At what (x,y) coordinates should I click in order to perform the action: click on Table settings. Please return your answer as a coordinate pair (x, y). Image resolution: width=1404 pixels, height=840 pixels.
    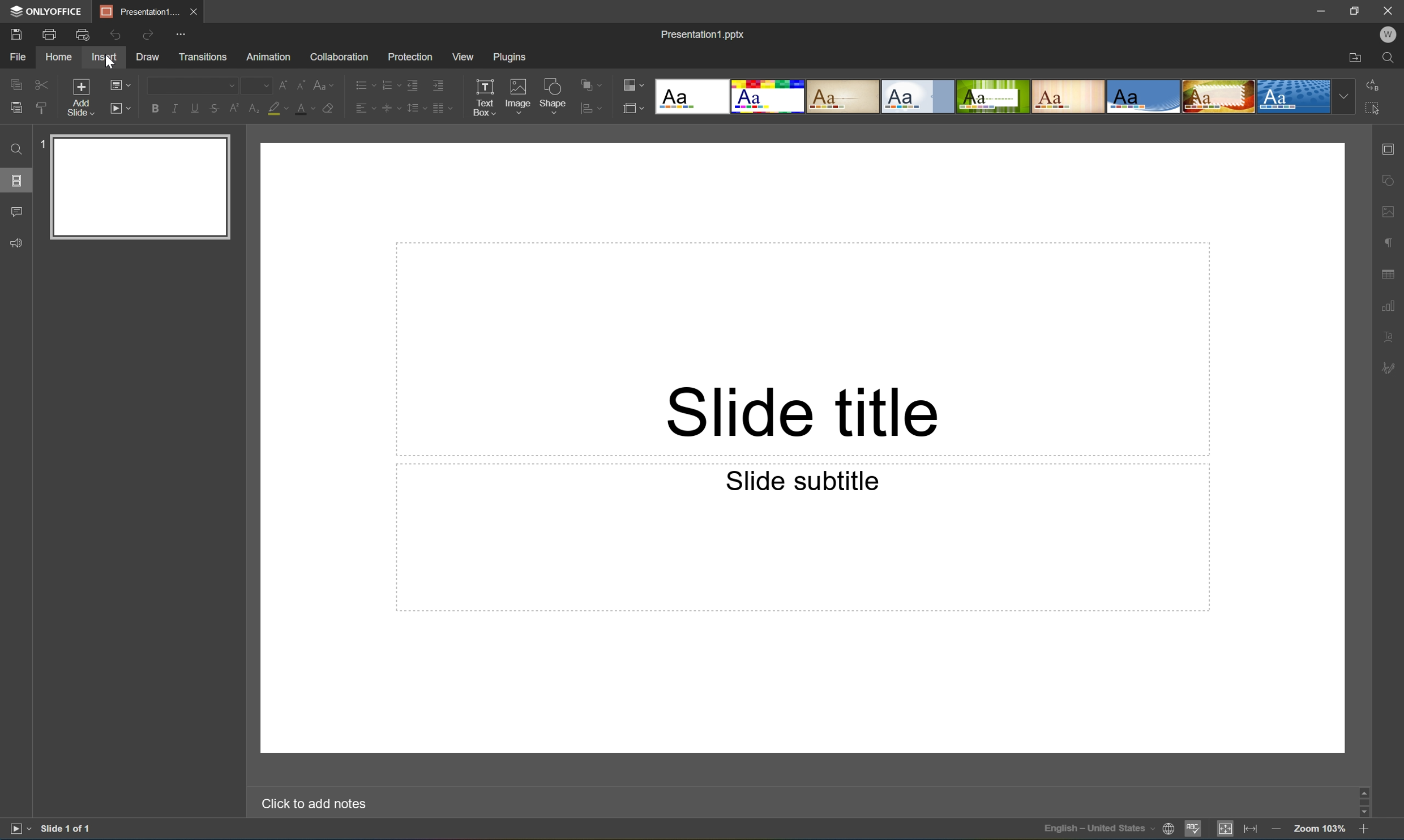
    Looking at the image, I should click on (1391, 275).